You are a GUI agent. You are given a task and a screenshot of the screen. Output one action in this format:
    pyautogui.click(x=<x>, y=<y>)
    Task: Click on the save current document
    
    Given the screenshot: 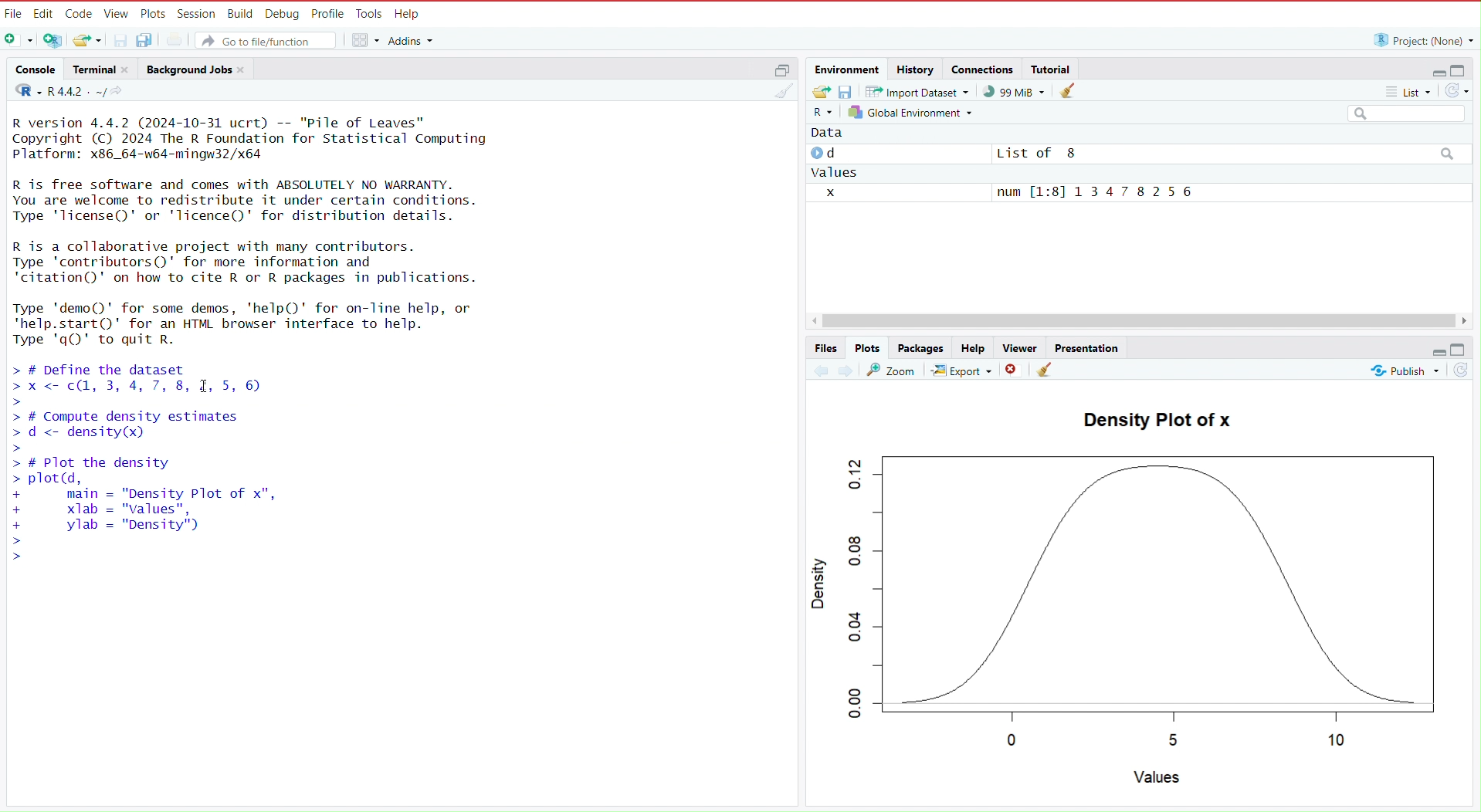 What is the action you would take?
    pyautogui.click(x=121, y=40)
    